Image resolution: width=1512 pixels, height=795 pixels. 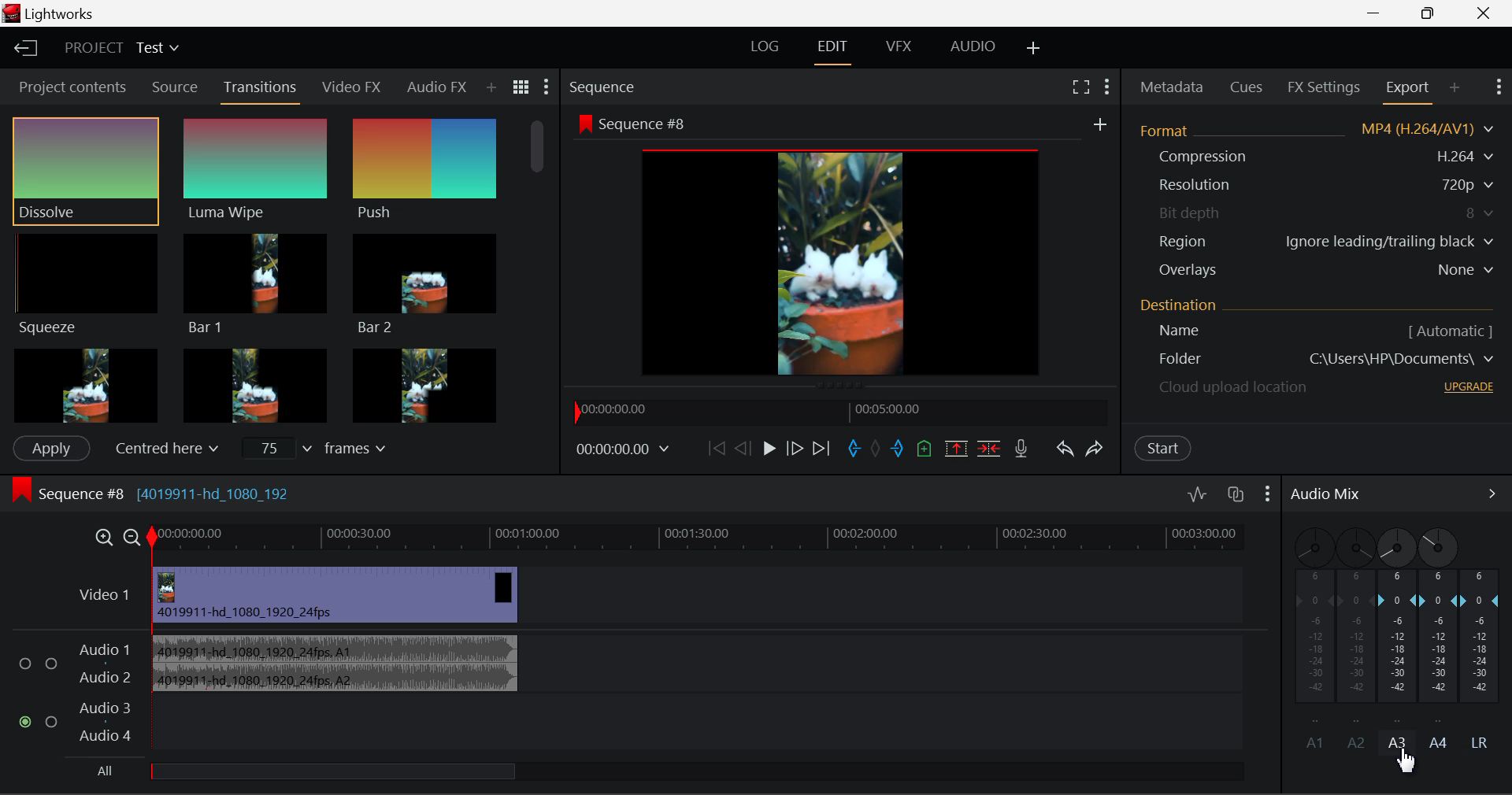 I want to click on Box 3, so click(x=425, y=383).